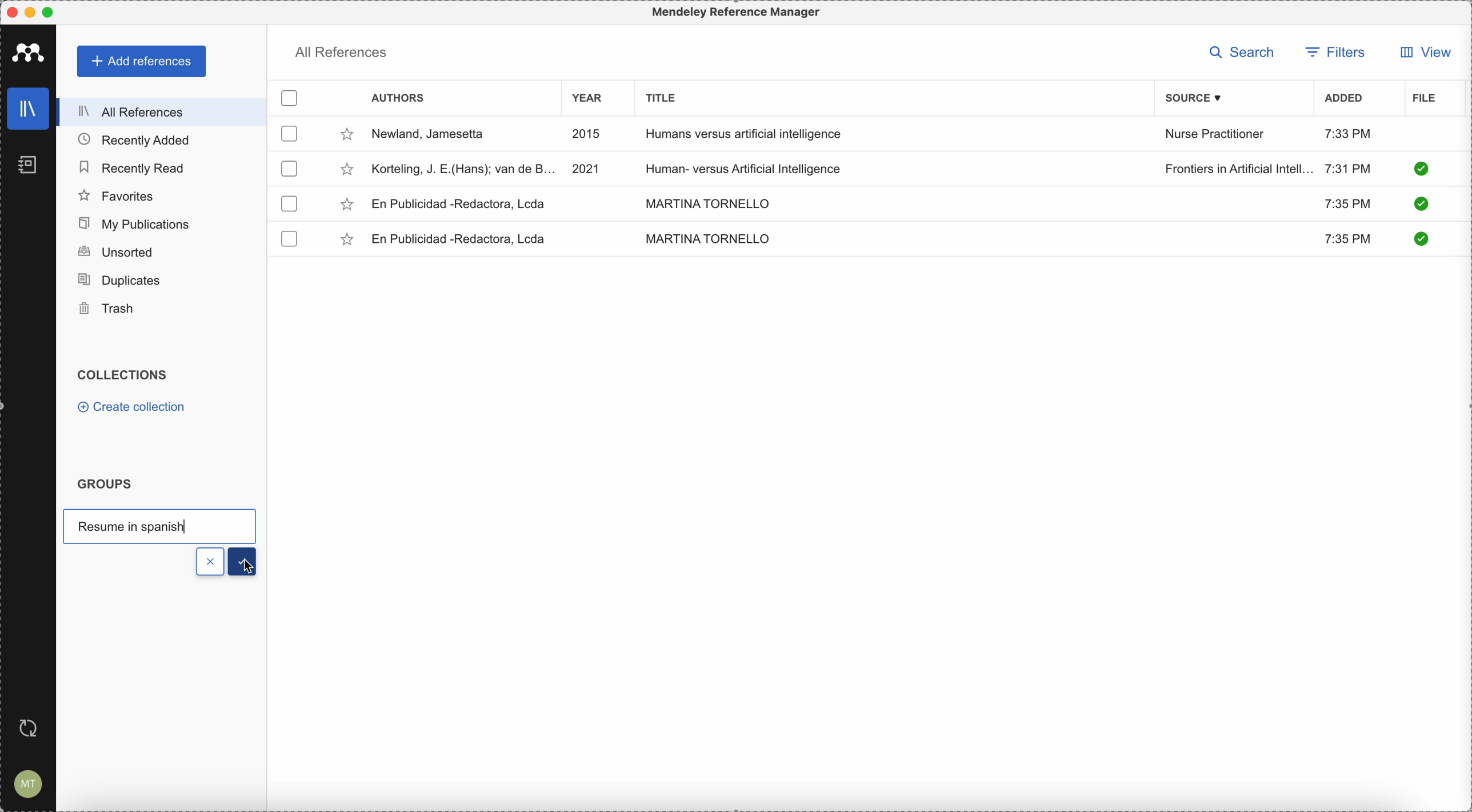  I want to click on file, so click(1424, 99).